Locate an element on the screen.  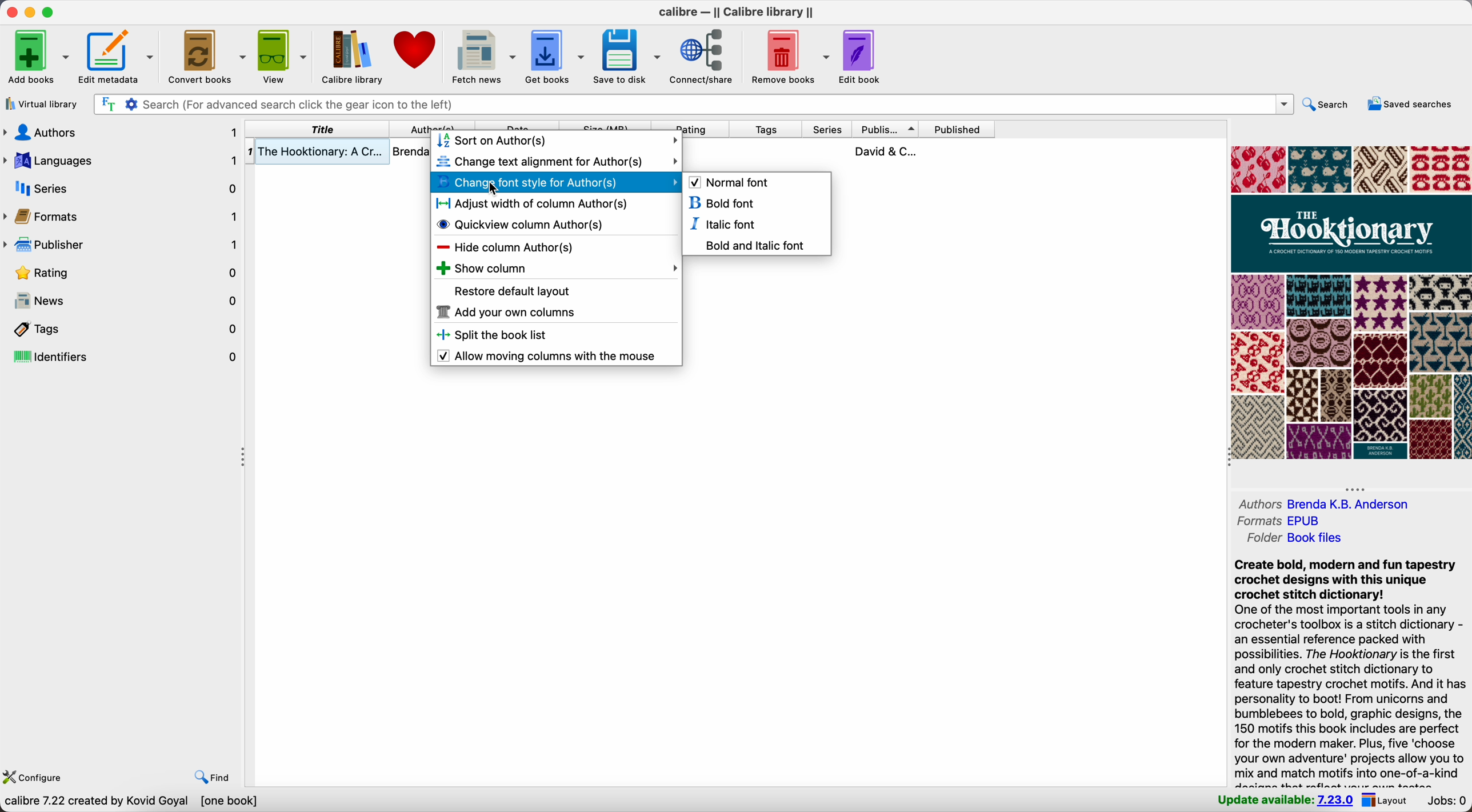
book cover preview is located at coordinates (1351, 303).